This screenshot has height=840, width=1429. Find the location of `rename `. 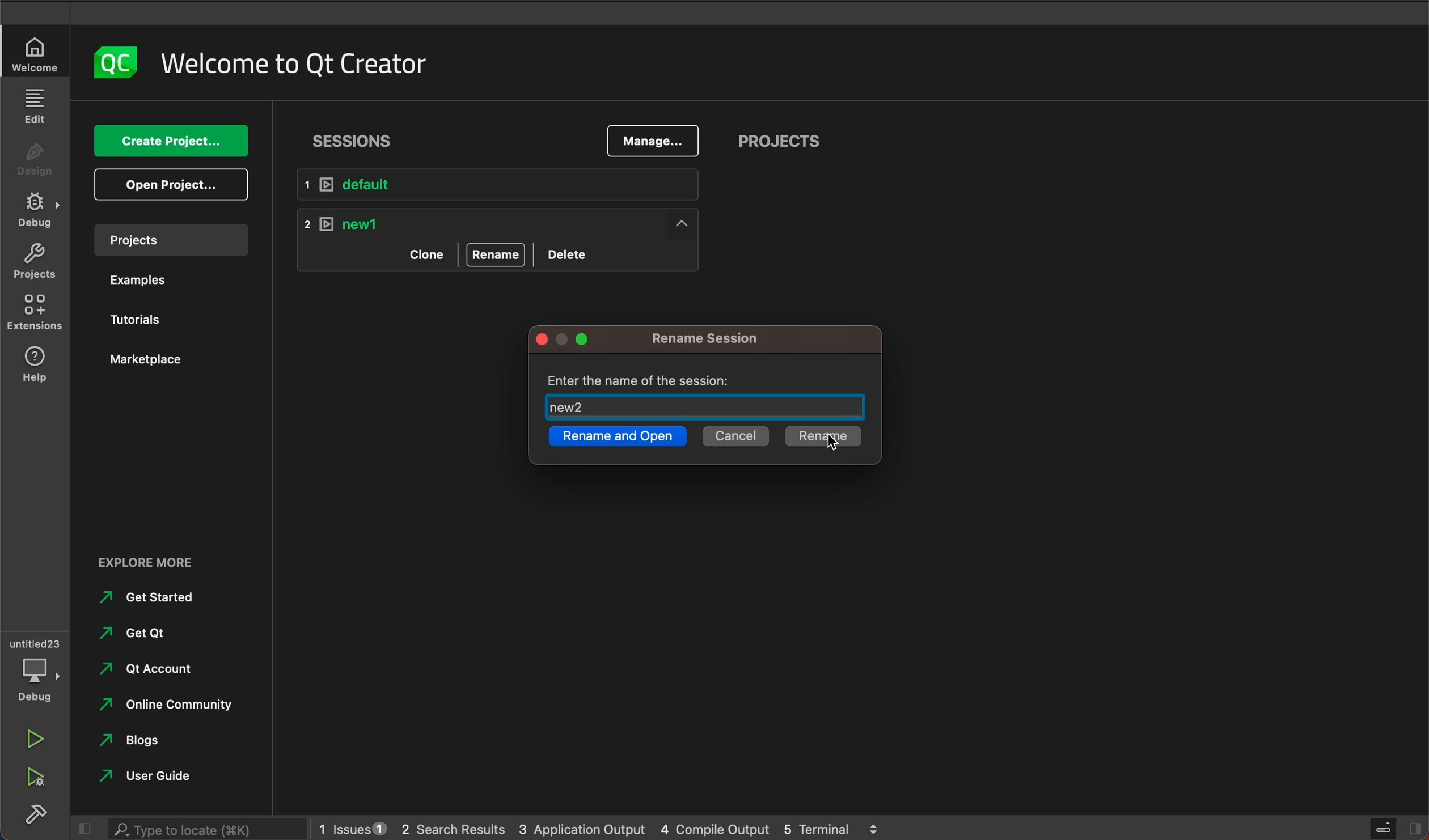

rename  is located at coordinates (721, 339).